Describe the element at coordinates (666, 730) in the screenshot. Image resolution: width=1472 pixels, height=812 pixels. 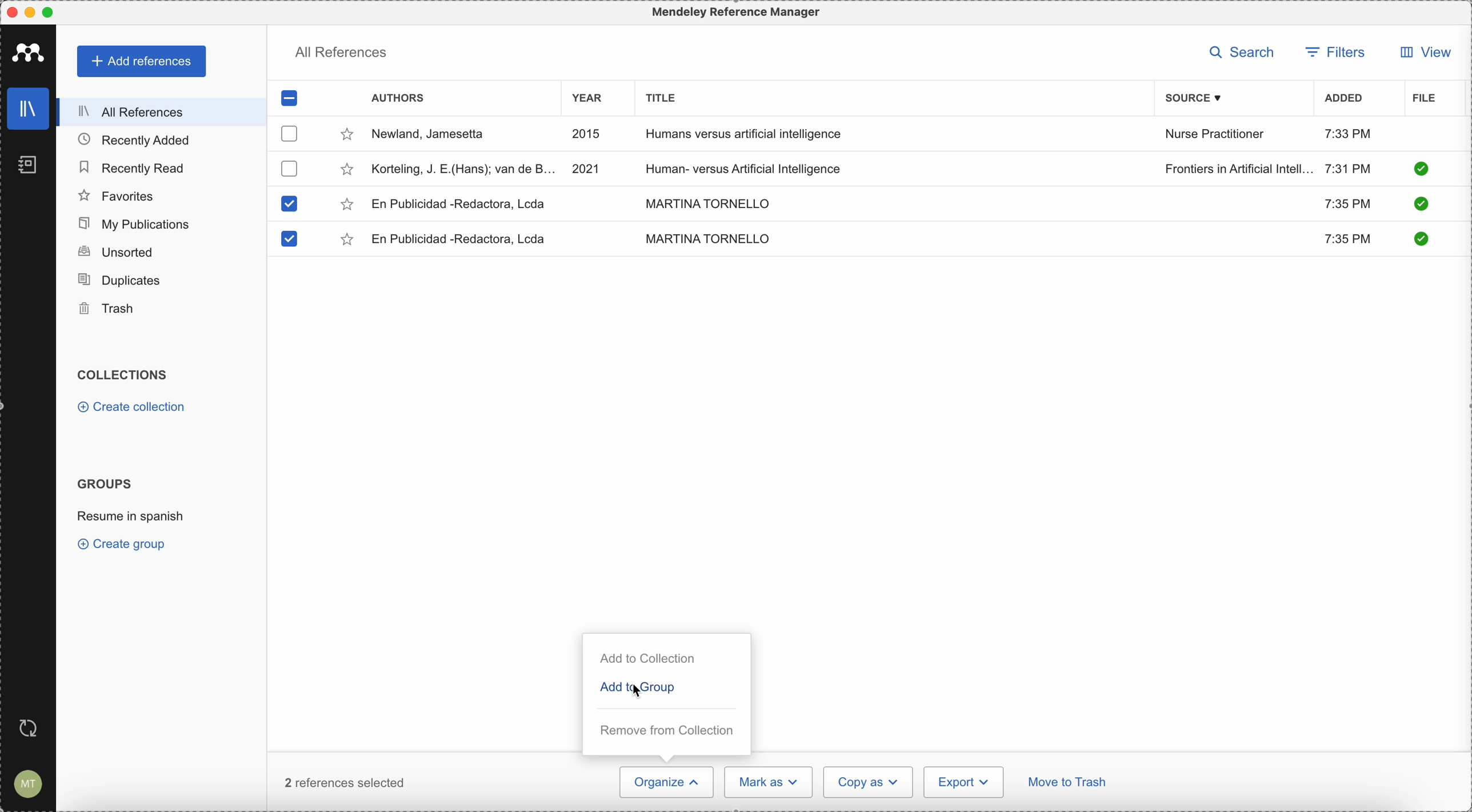
I see `remove from collection` at that location.